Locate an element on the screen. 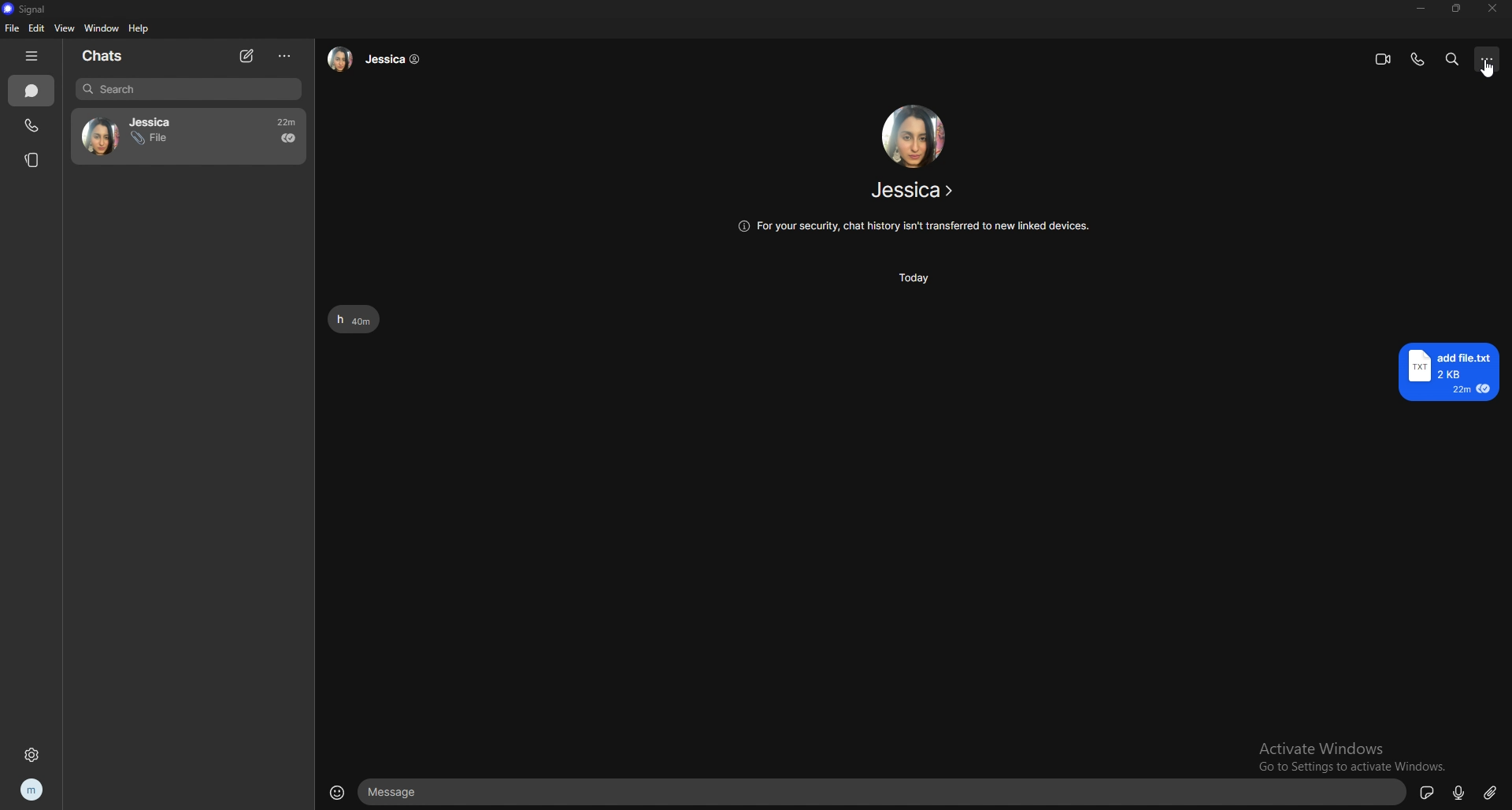  Jessica is located at coordinates (157, 121).